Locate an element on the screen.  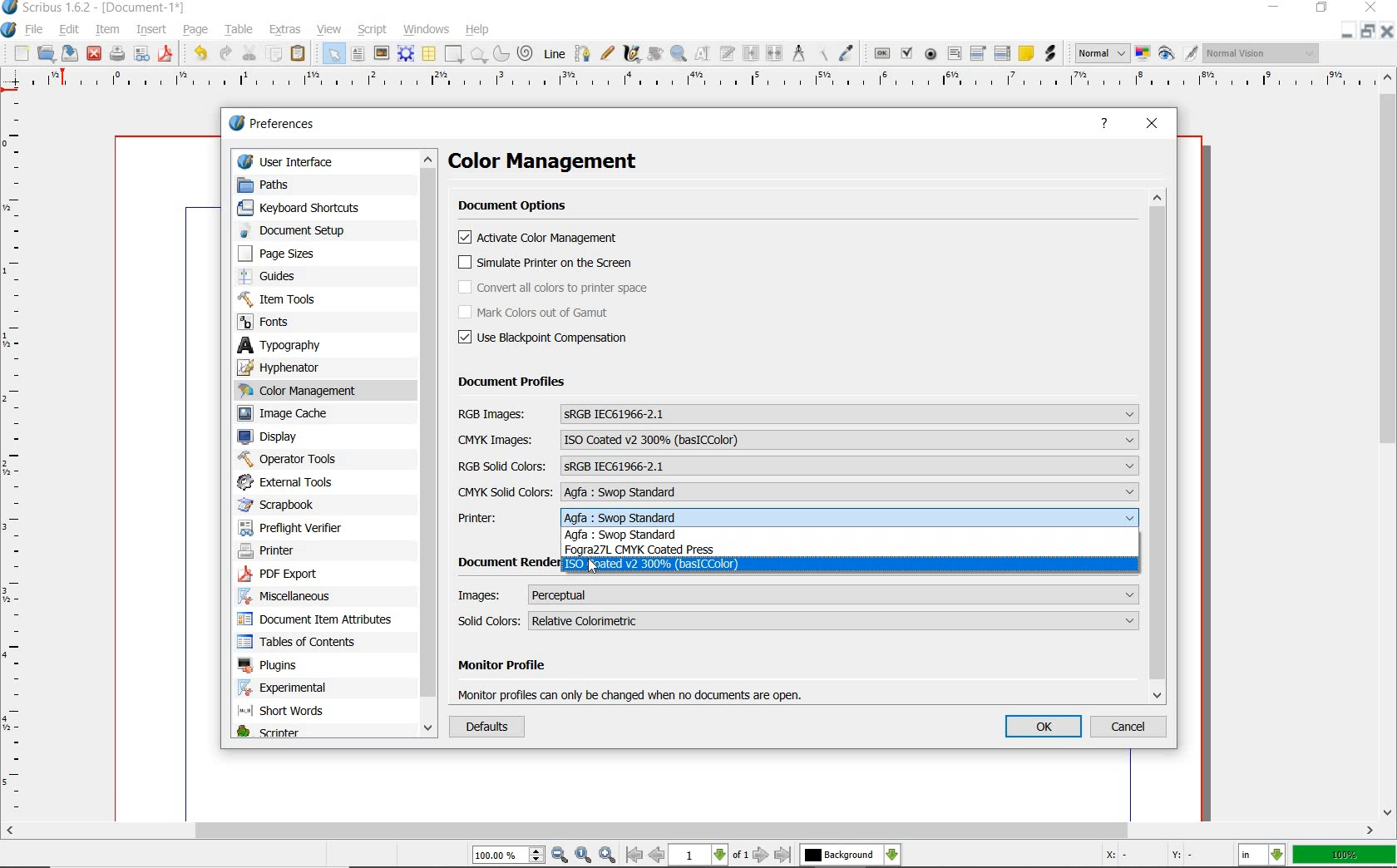
scripter is located at coordinates (287, 732).